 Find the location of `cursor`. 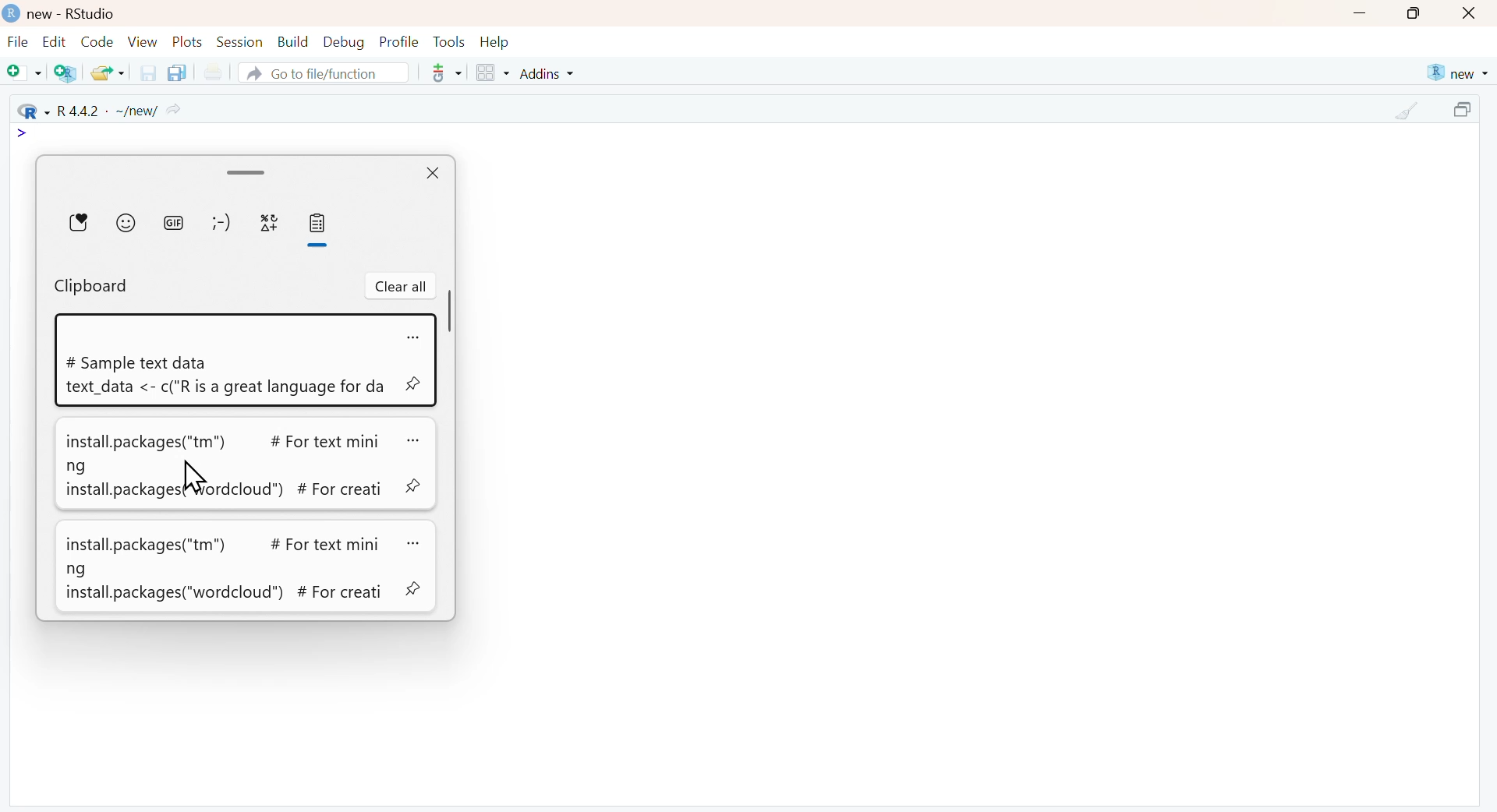

cursor is located at coordinates (196, 477).